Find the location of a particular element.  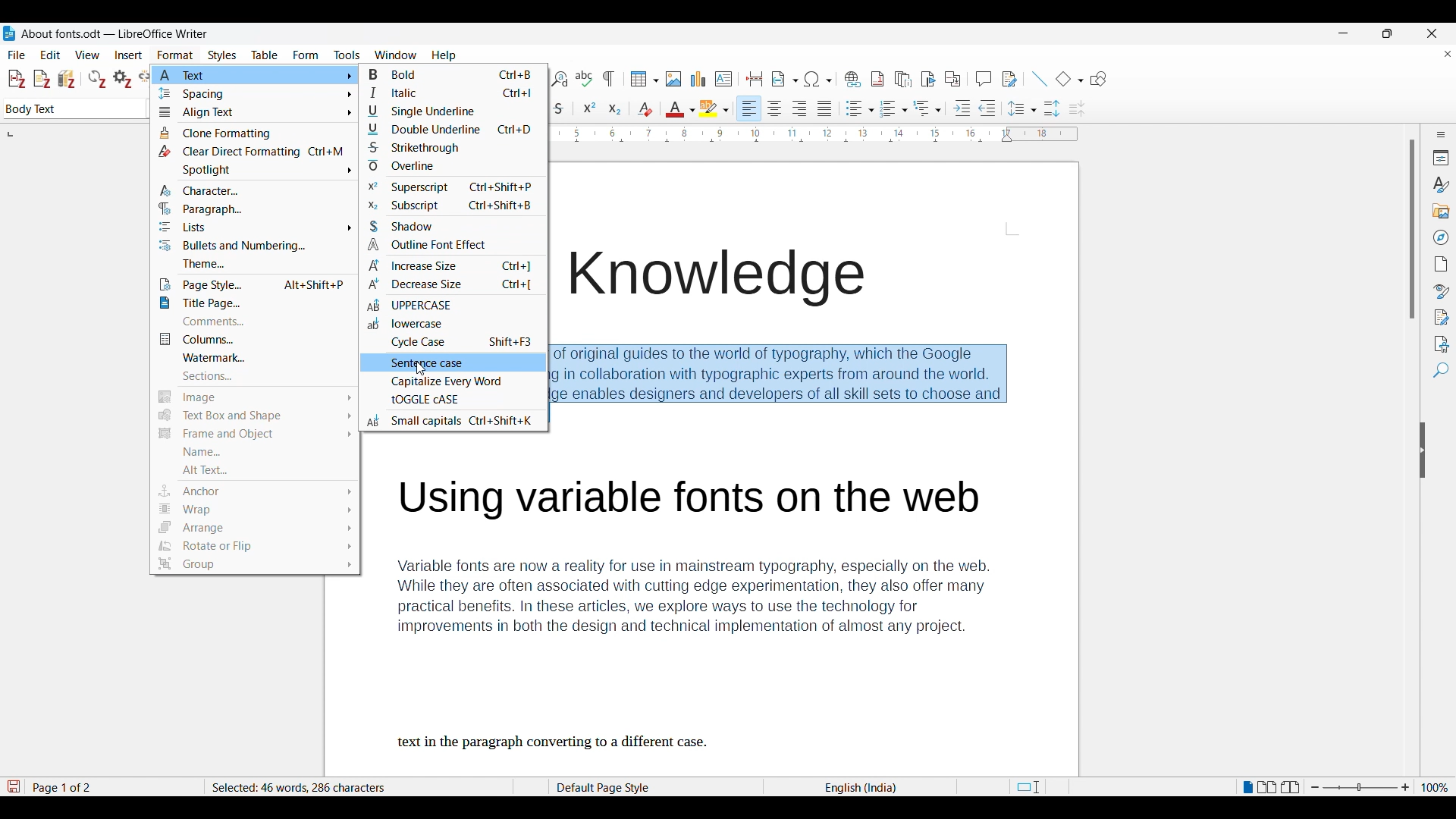

Comments is located at coordinates (252, 322).